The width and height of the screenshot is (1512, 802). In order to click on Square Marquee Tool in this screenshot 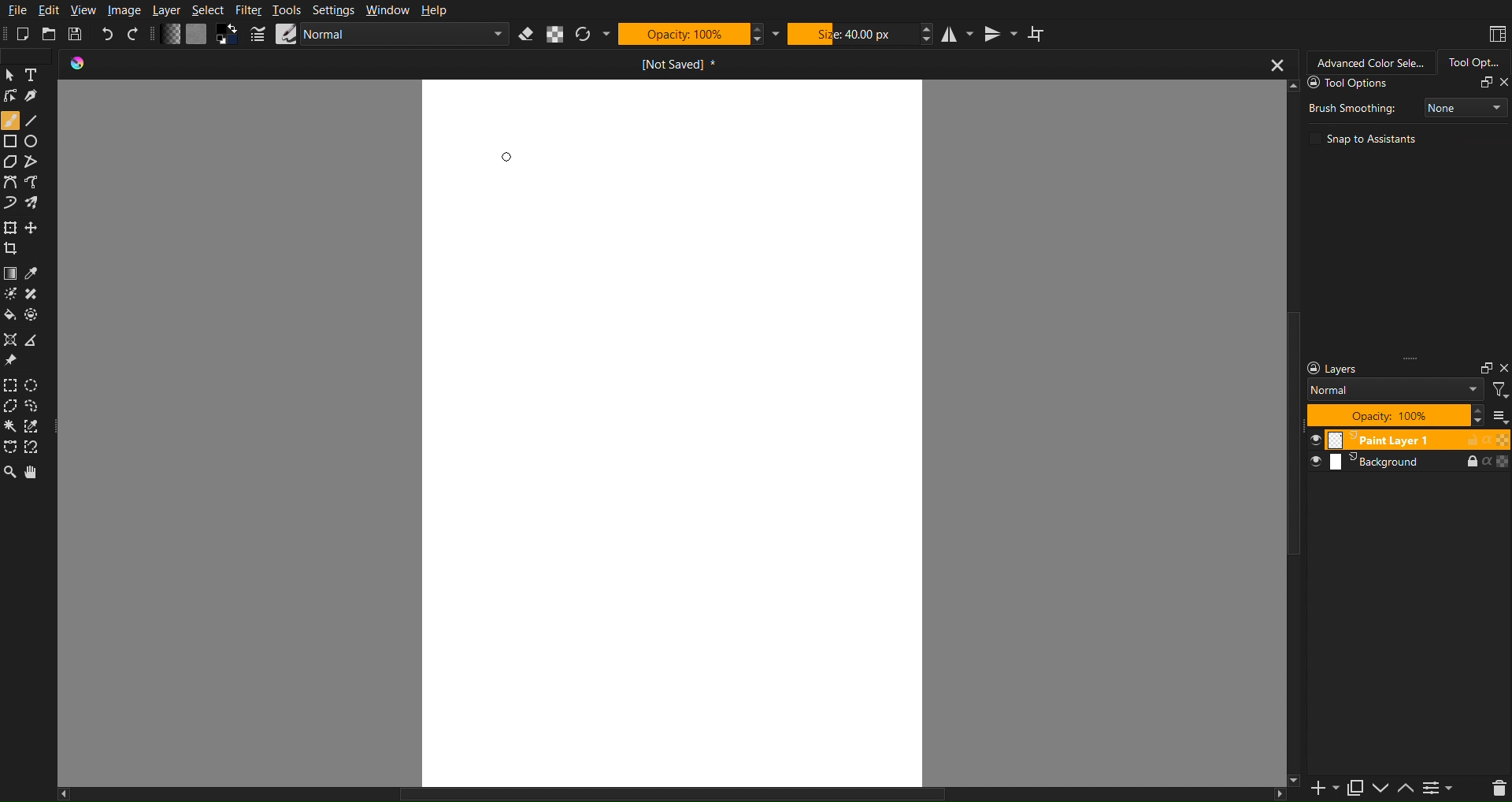, I will do `click(13, 386)`.